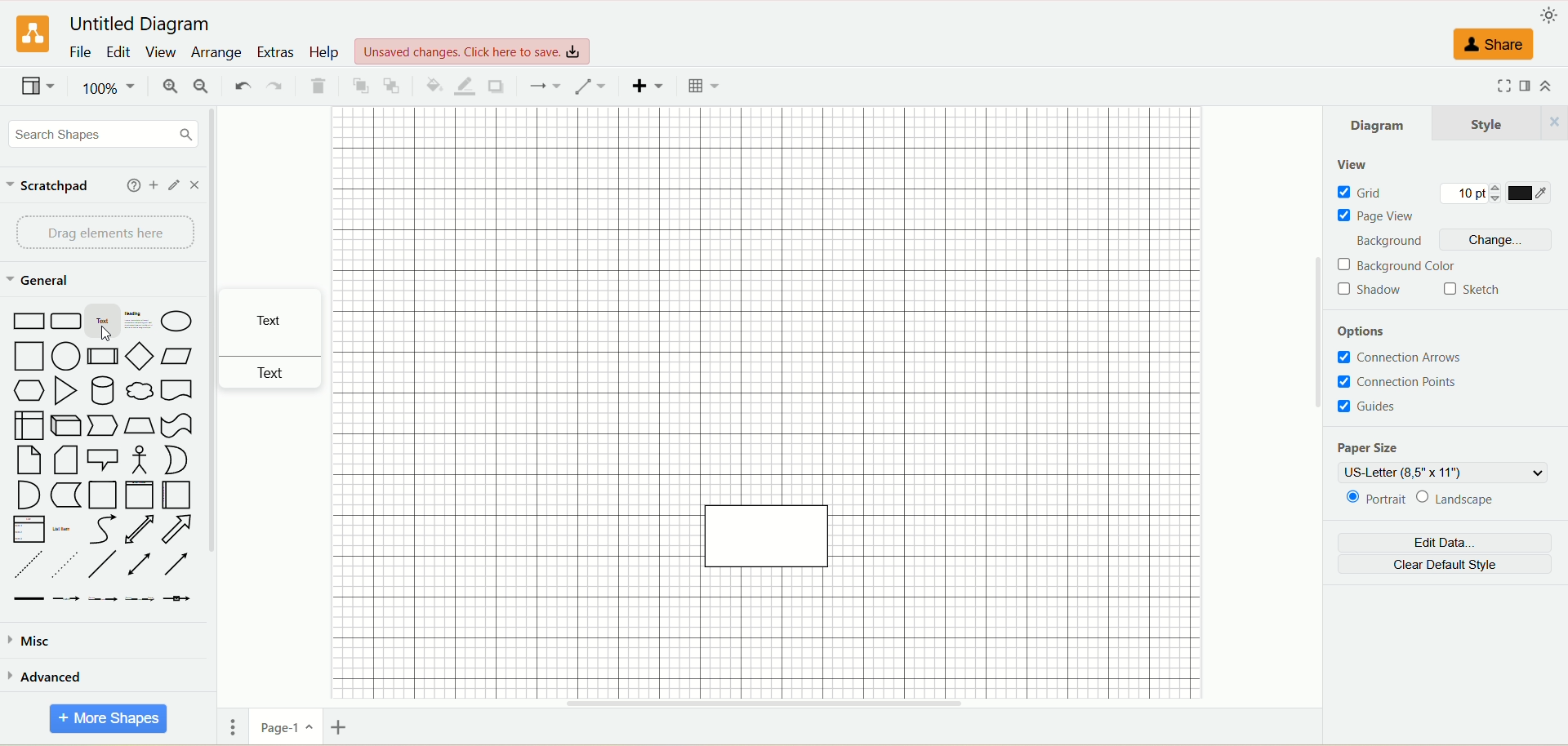  What do you see at coordinates (277, 372) in the screenshot?
I see `text` at bounding box center [277, 372].